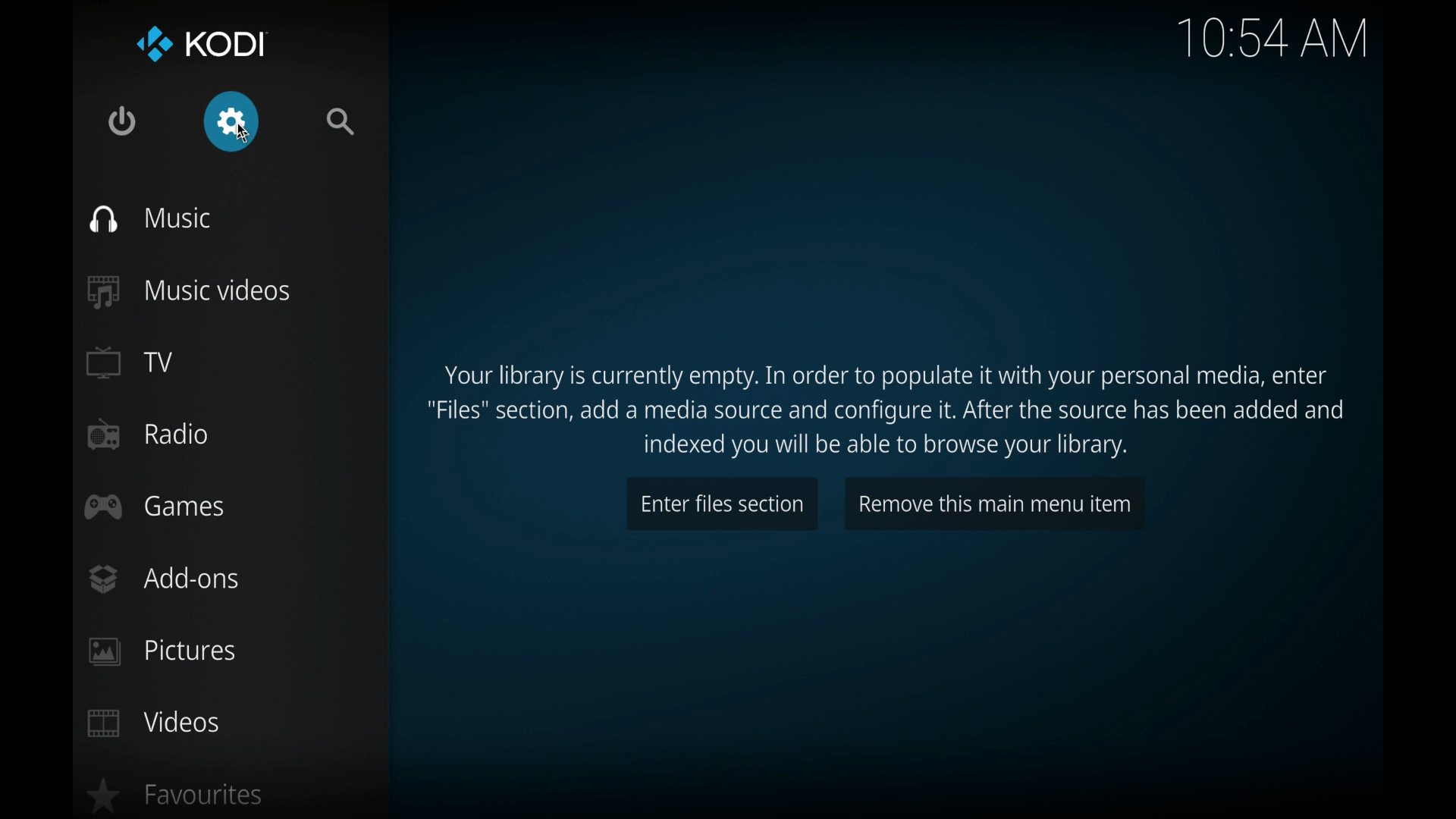 The image size is (1456, 819). Describe the element at coordinates (149, 434) in the screenshot. I see `radio` at that location.